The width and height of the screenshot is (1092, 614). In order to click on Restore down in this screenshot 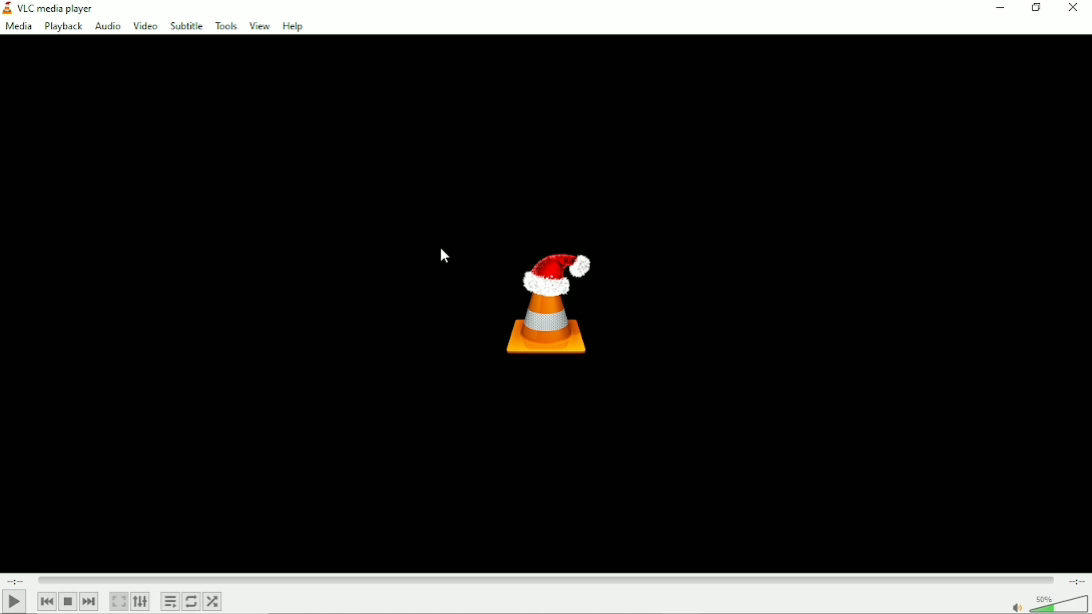, I will do `click(1038, 9)`.